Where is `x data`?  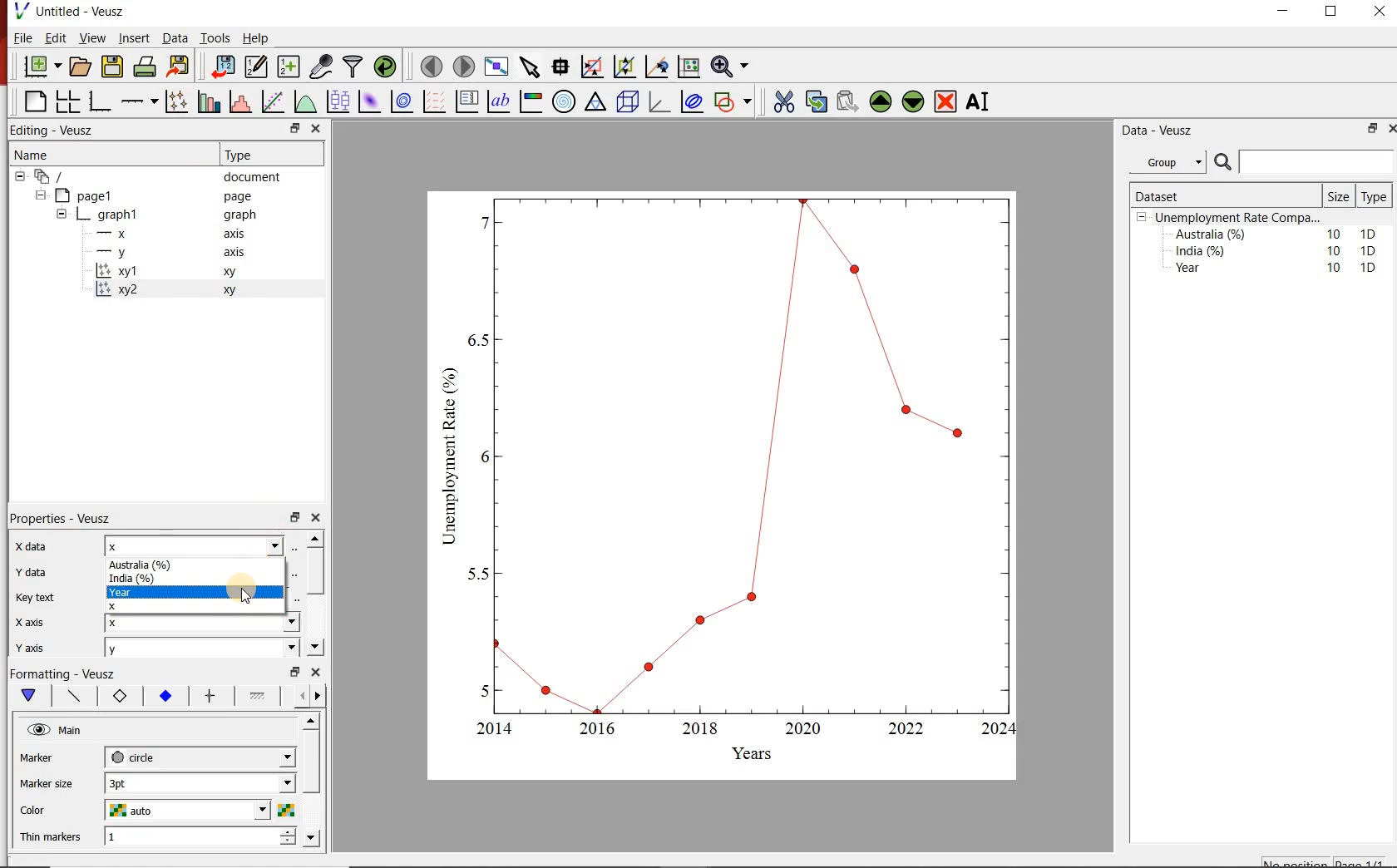
x data is located at coordinates (29, 547).